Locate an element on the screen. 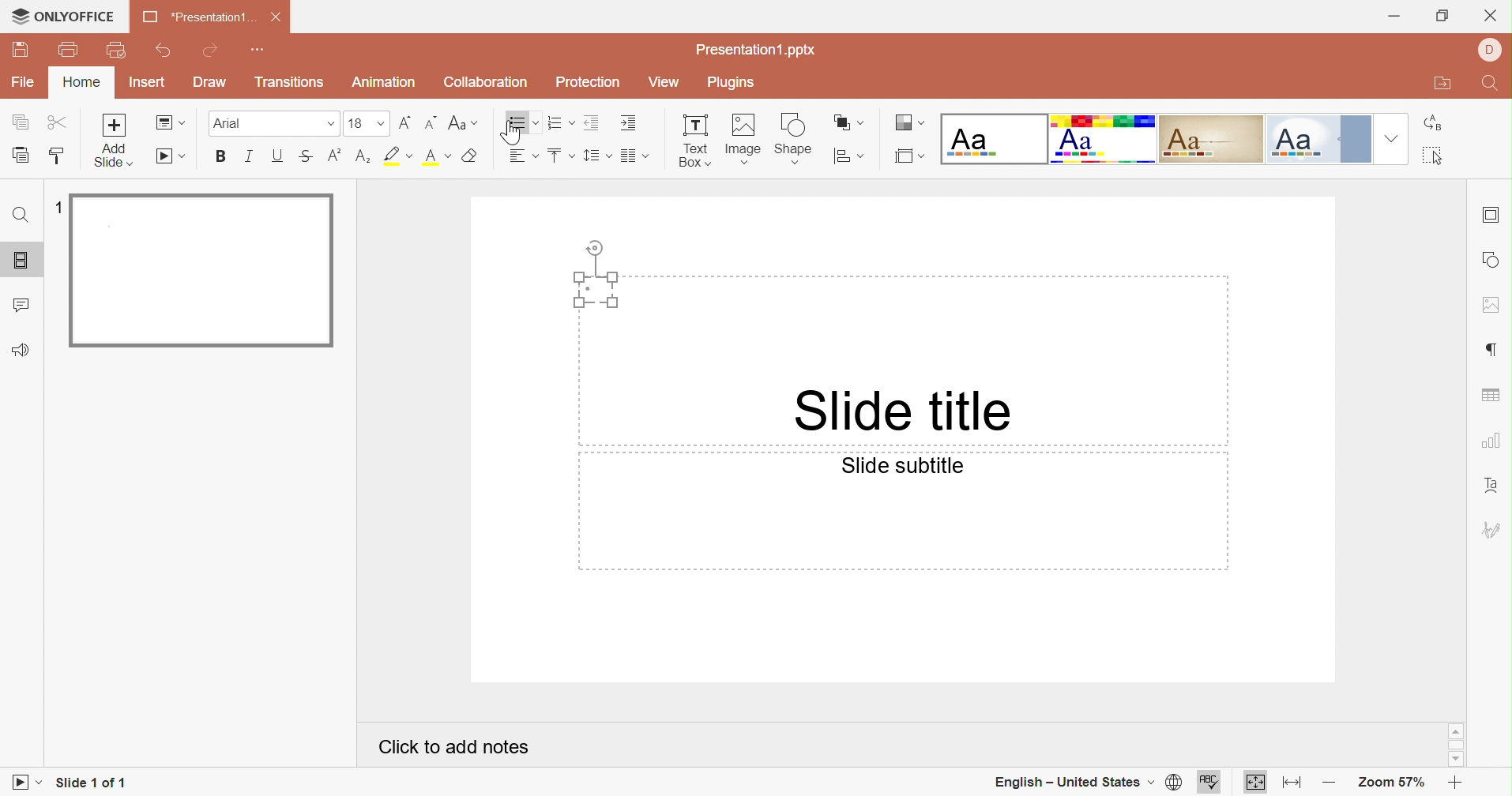 The width and height of the screenshot is (1512, 796). Copy is located at coordinates (21, 123).